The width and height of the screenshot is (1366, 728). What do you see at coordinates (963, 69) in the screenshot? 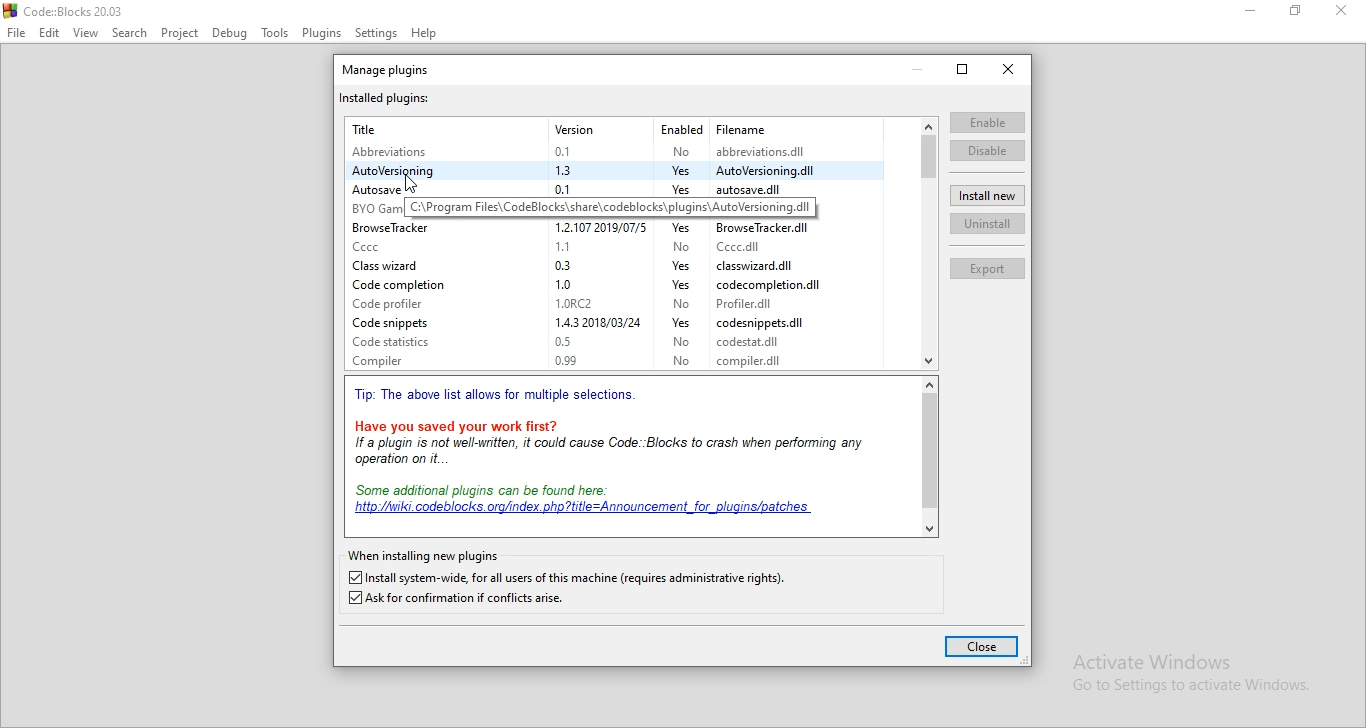
I see `maximize` at bounding box center [963, 69].